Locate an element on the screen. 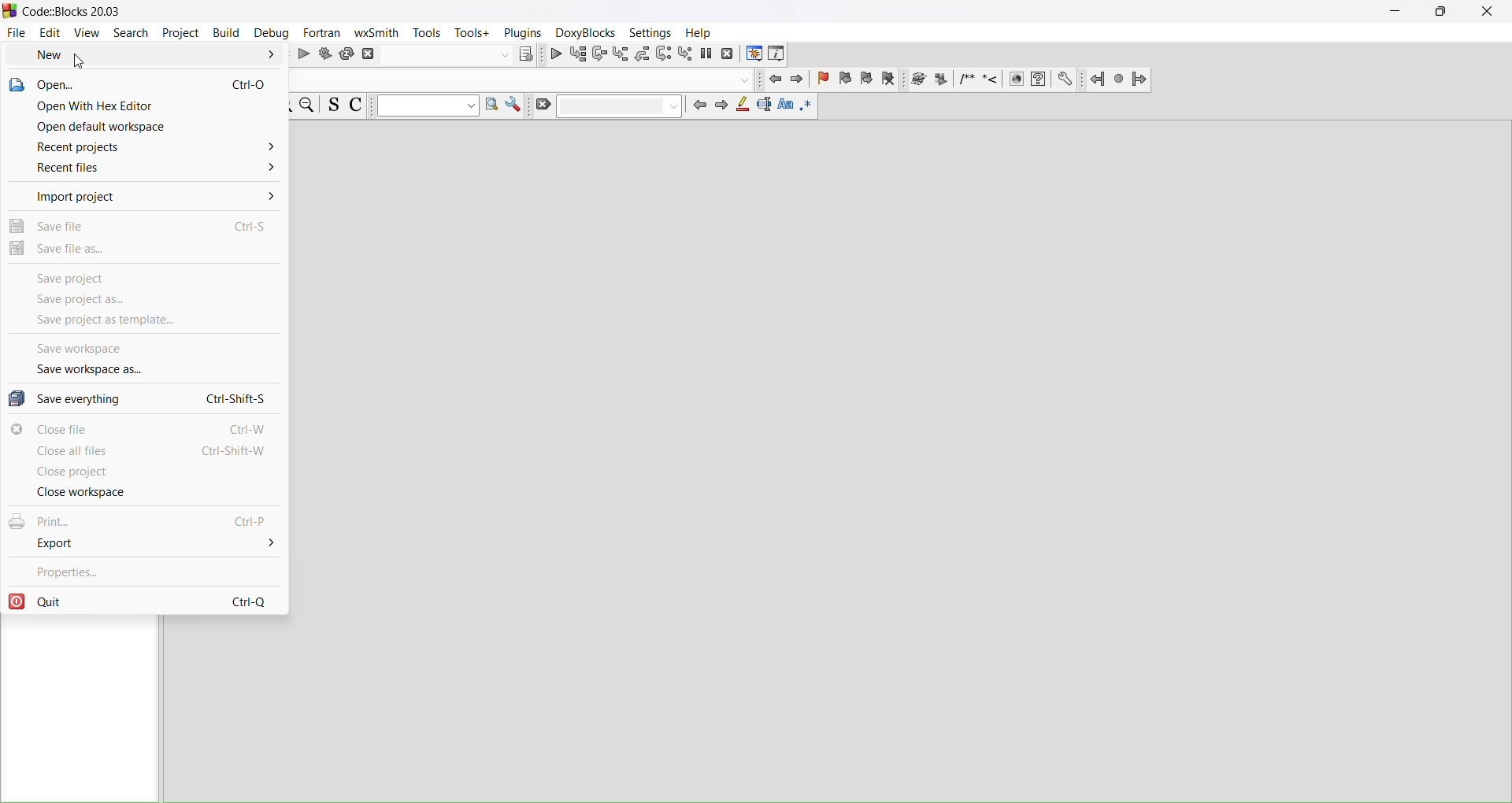  zoom out is located at coordinates (308, 105).